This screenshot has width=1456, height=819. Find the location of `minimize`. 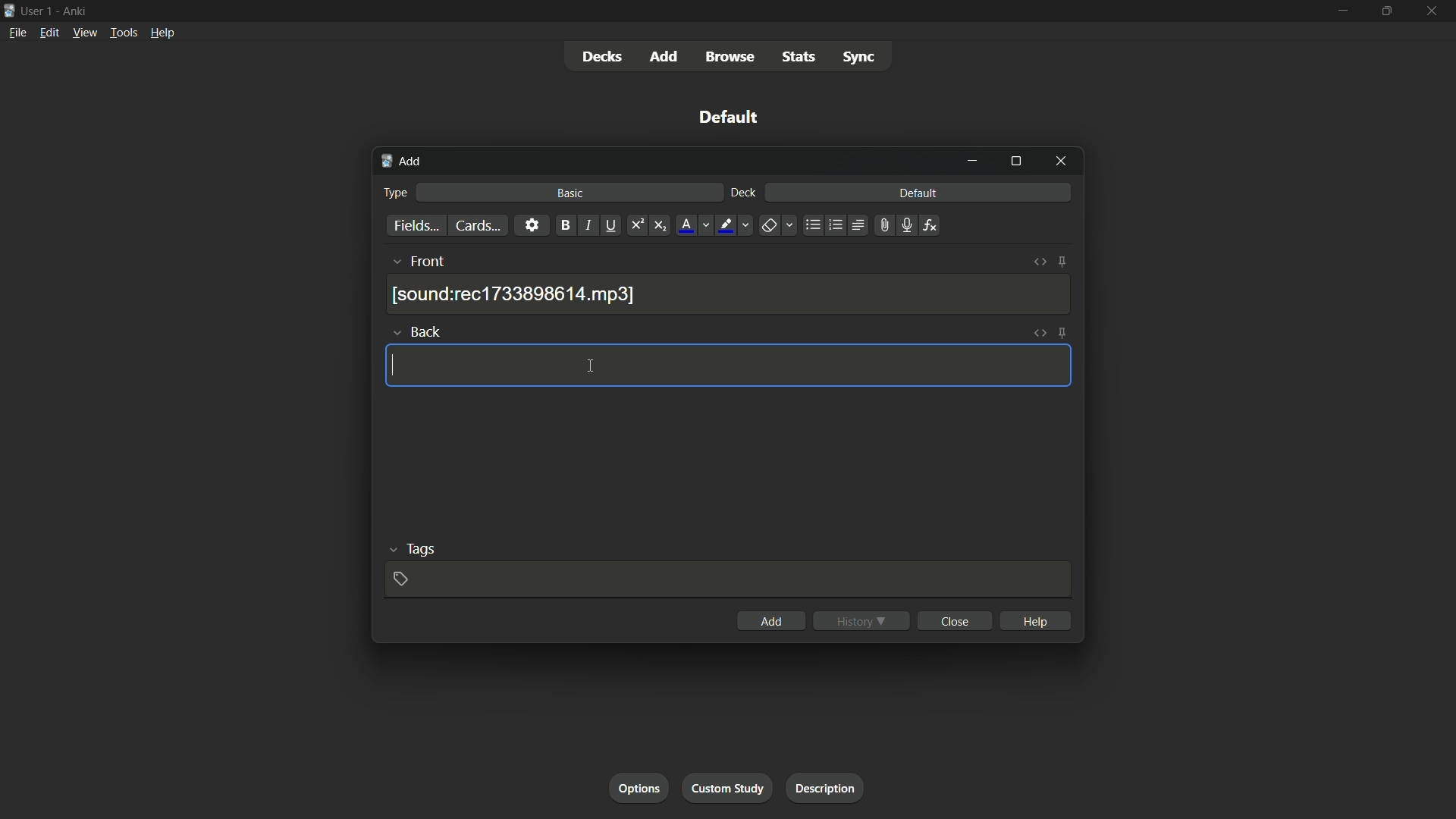

minimize is located at coordinates (1341, 11).